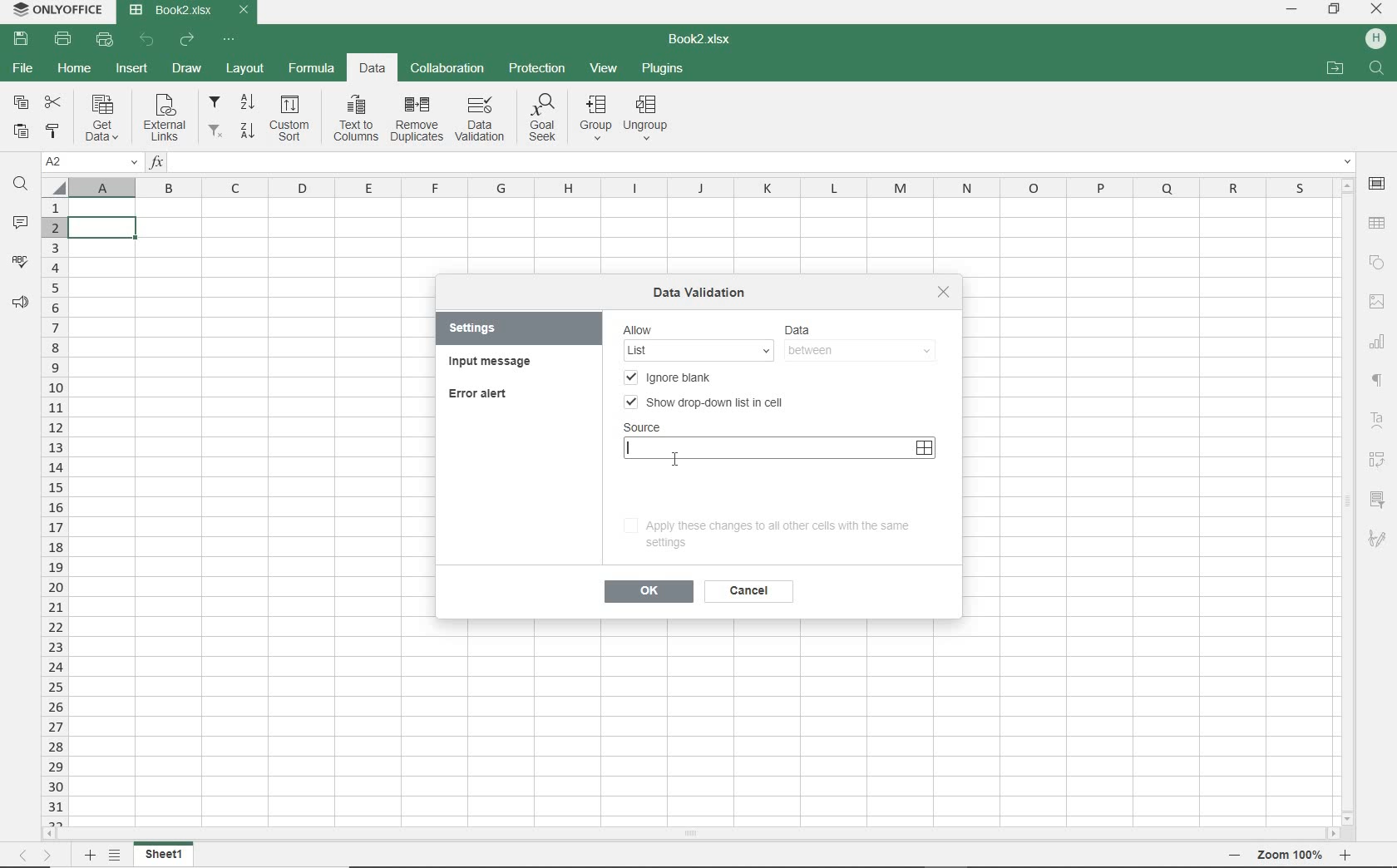 Image resolution: width=1397 pixels, height=868 pixels. Describe the element at coordinates (544, 116) in the screenshot. I see `goal seek` at that location.